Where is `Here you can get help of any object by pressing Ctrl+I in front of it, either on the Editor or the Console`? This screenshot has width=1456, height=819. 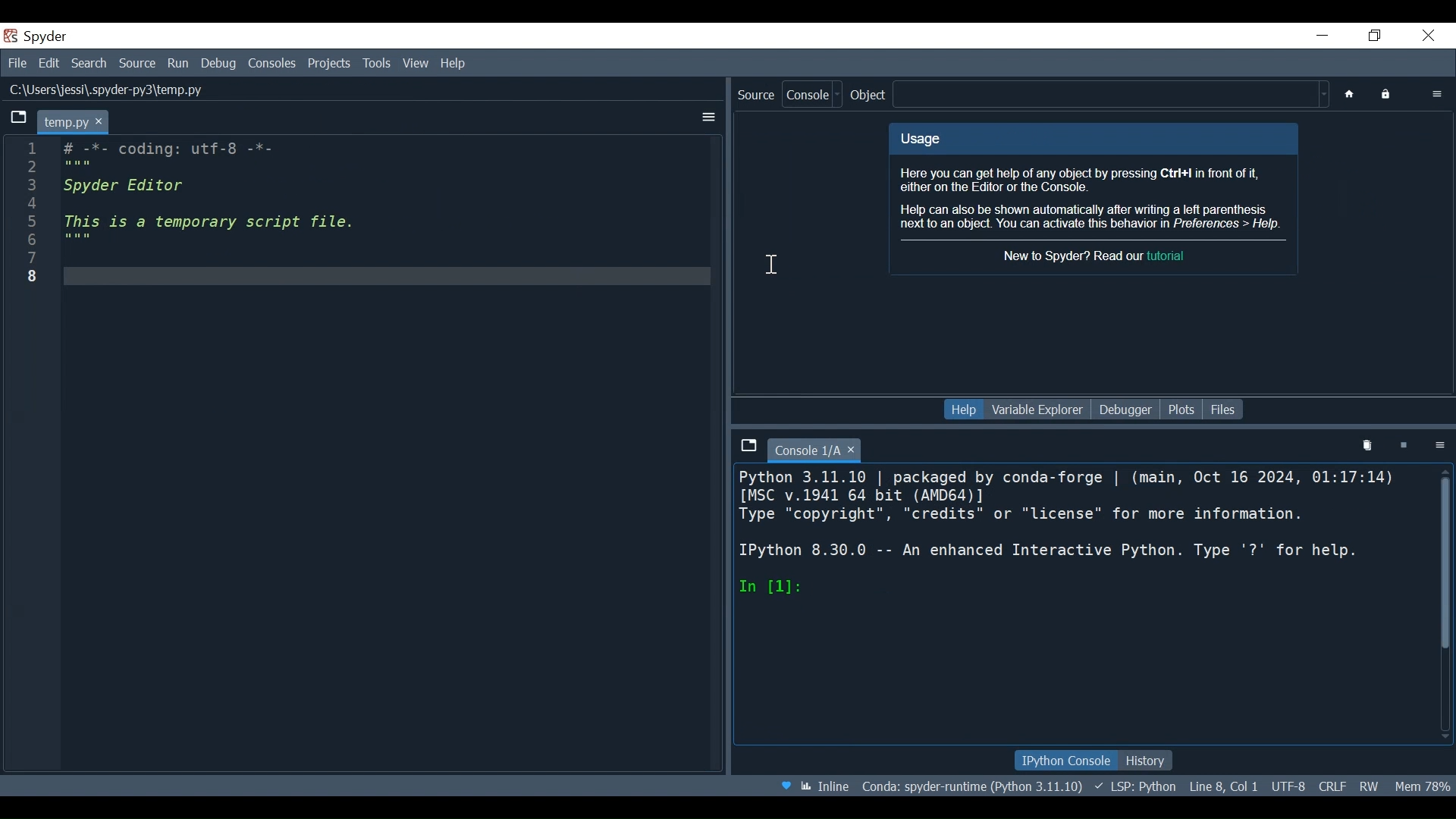
Here you can get help of any object by pressing Ctrl+I in front of it, either on the Editor or the Console is located at coordinates (1089, 182).